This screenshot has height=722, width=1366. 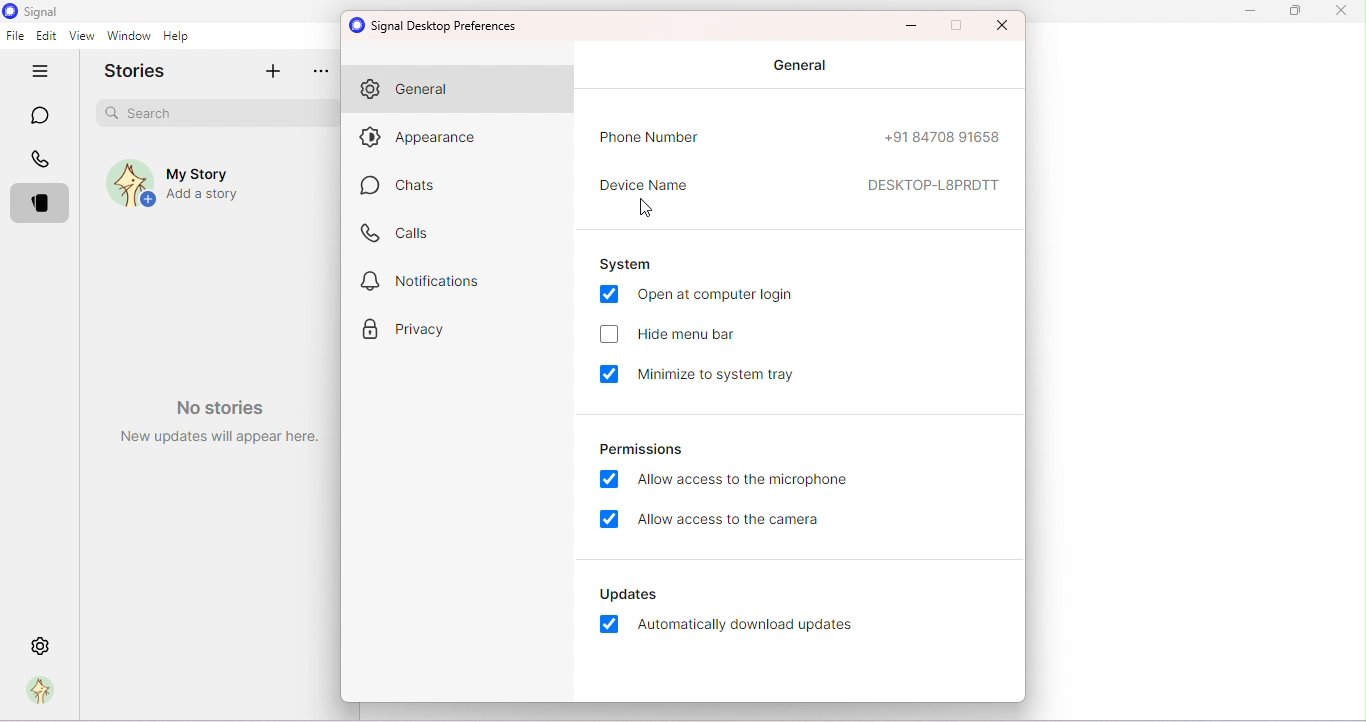 I want to click on Hide menu bar, so click(x=678, y=334).